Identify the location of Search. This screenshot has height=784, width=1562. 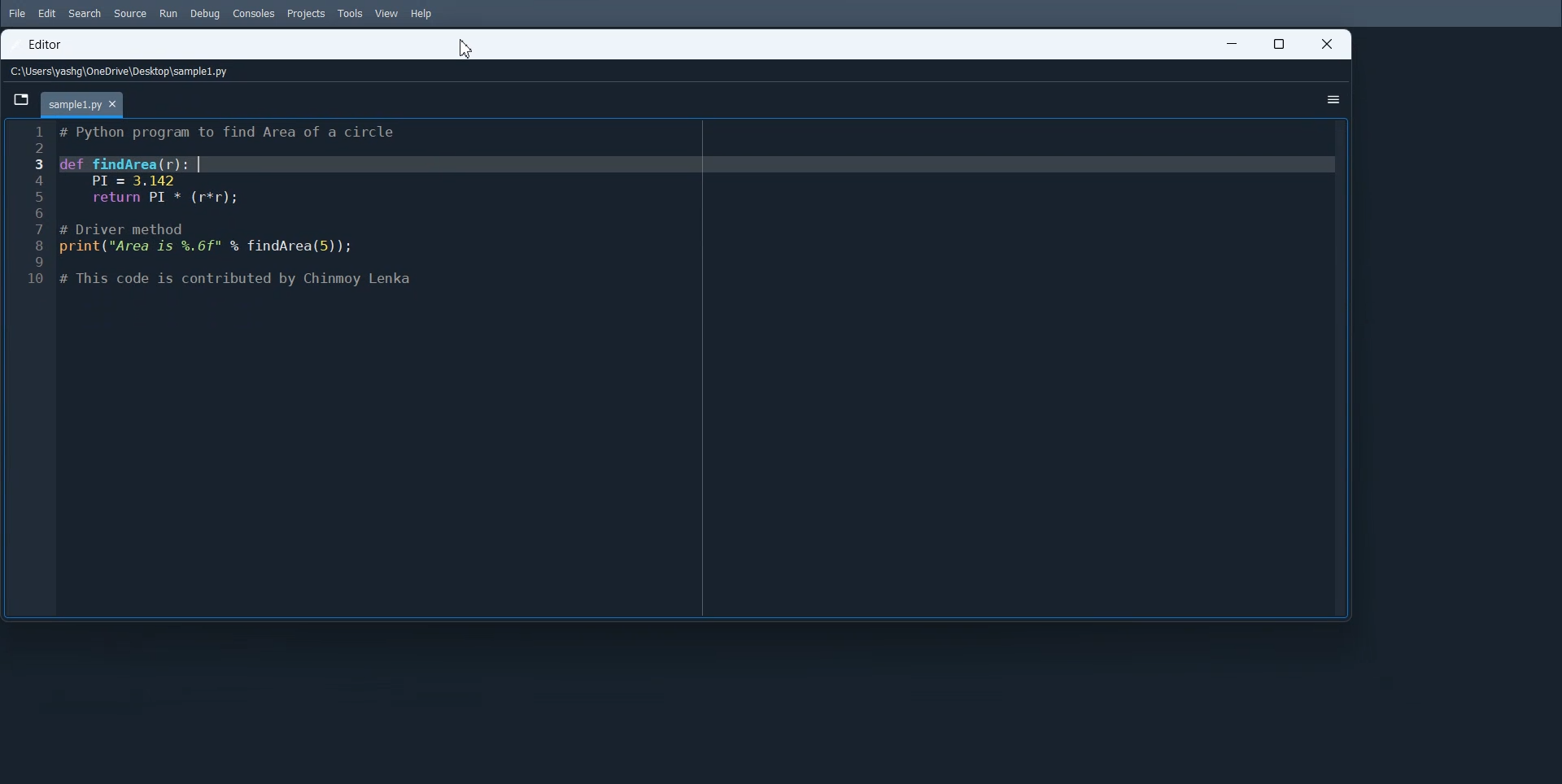
(85, 14).